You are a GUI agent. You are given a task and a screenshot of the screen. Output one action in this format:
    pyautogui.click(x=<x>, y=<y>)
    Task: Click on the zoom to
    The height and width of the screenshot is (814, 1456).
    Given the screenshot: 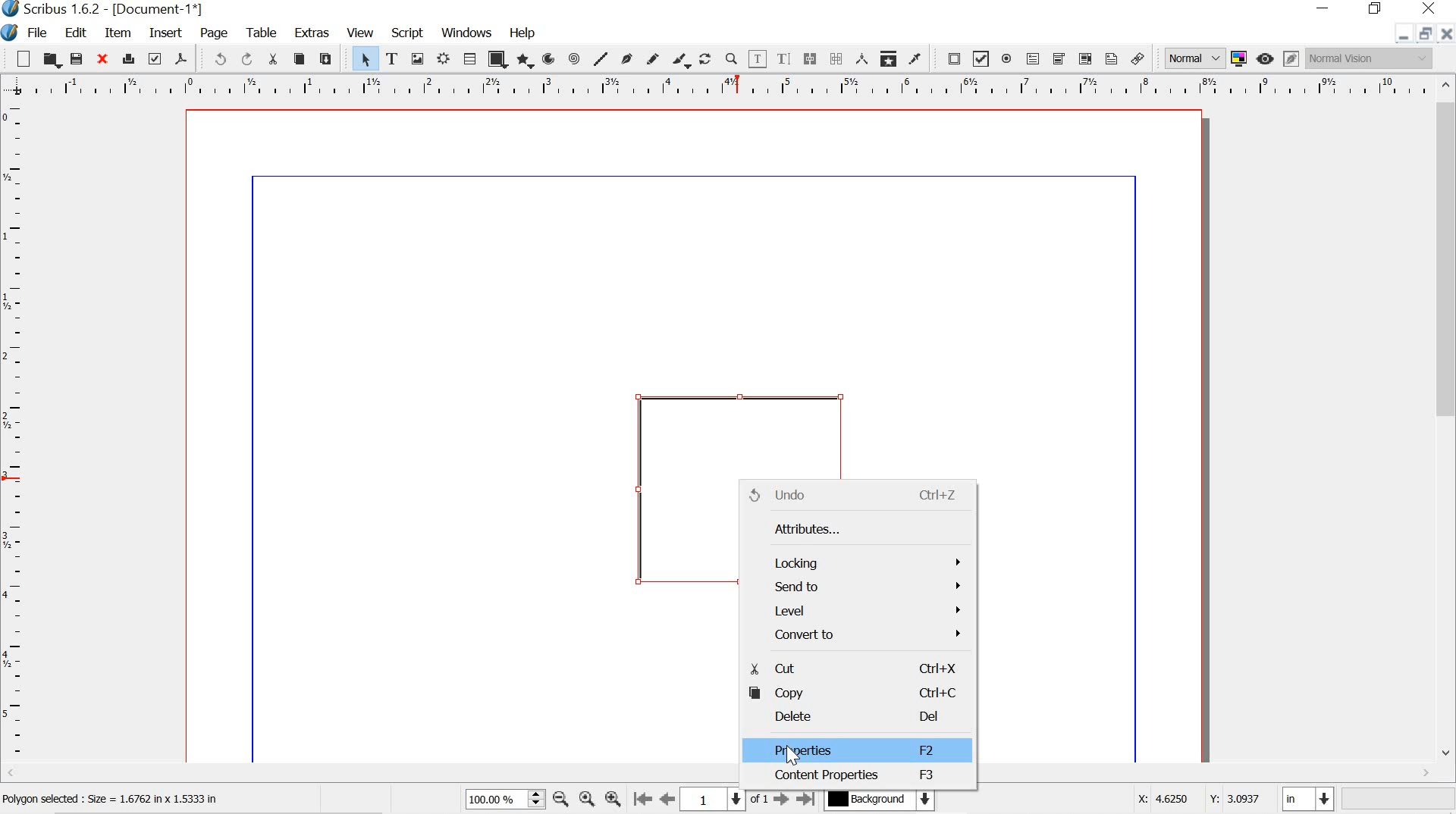 What is the action you would take?
    pyautogui.click(x=589, y=800)
    